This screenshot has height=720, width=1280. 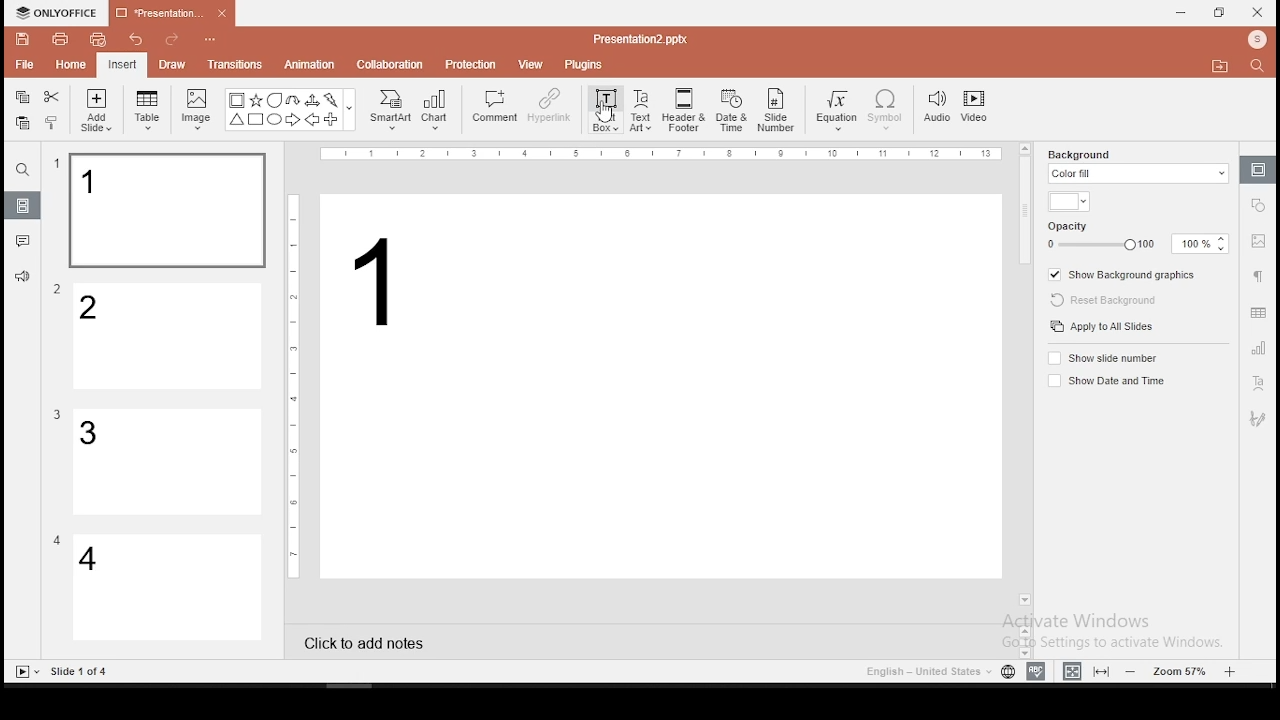 What do you see at coordinates (52, 96) in the screenshot?
I see `cut` at bounding box center [52, 96].